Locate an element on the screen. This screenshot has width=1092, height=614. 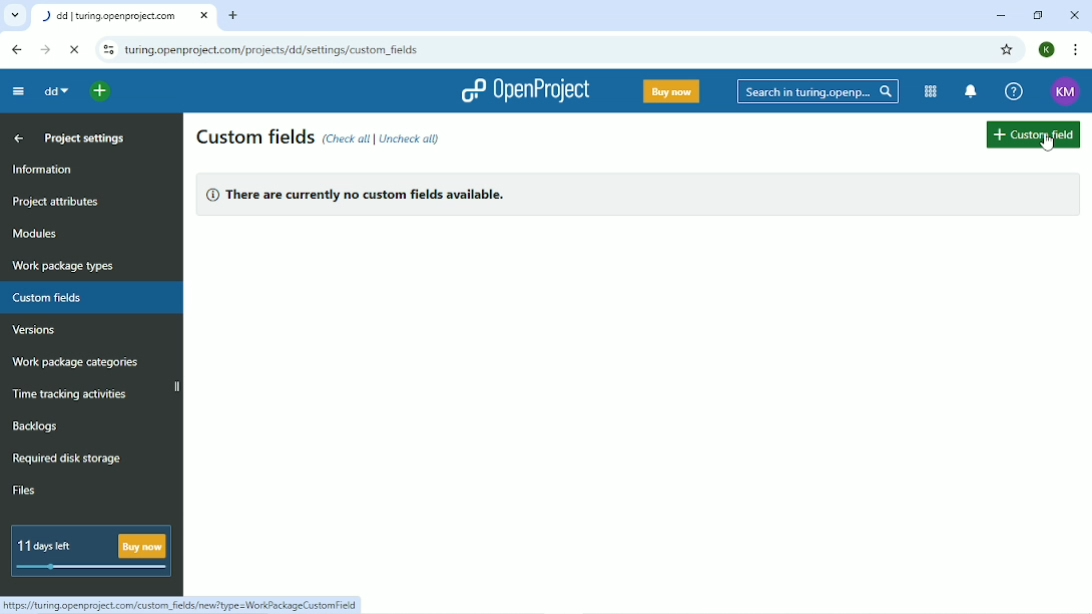
Custom fields is located at coordinates (1034, 133).